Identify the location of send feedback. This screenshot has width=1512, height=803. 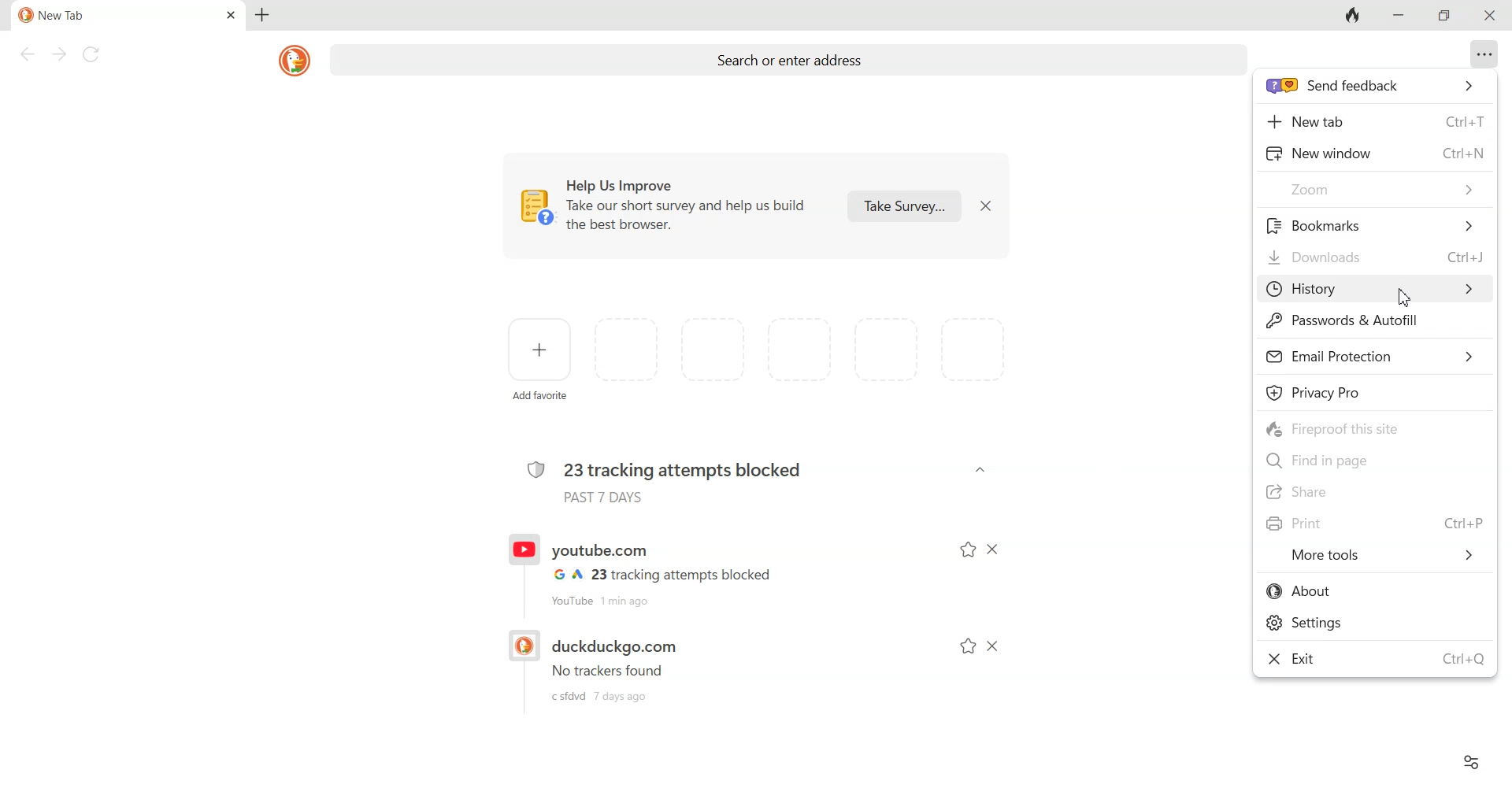
(1377, 86).